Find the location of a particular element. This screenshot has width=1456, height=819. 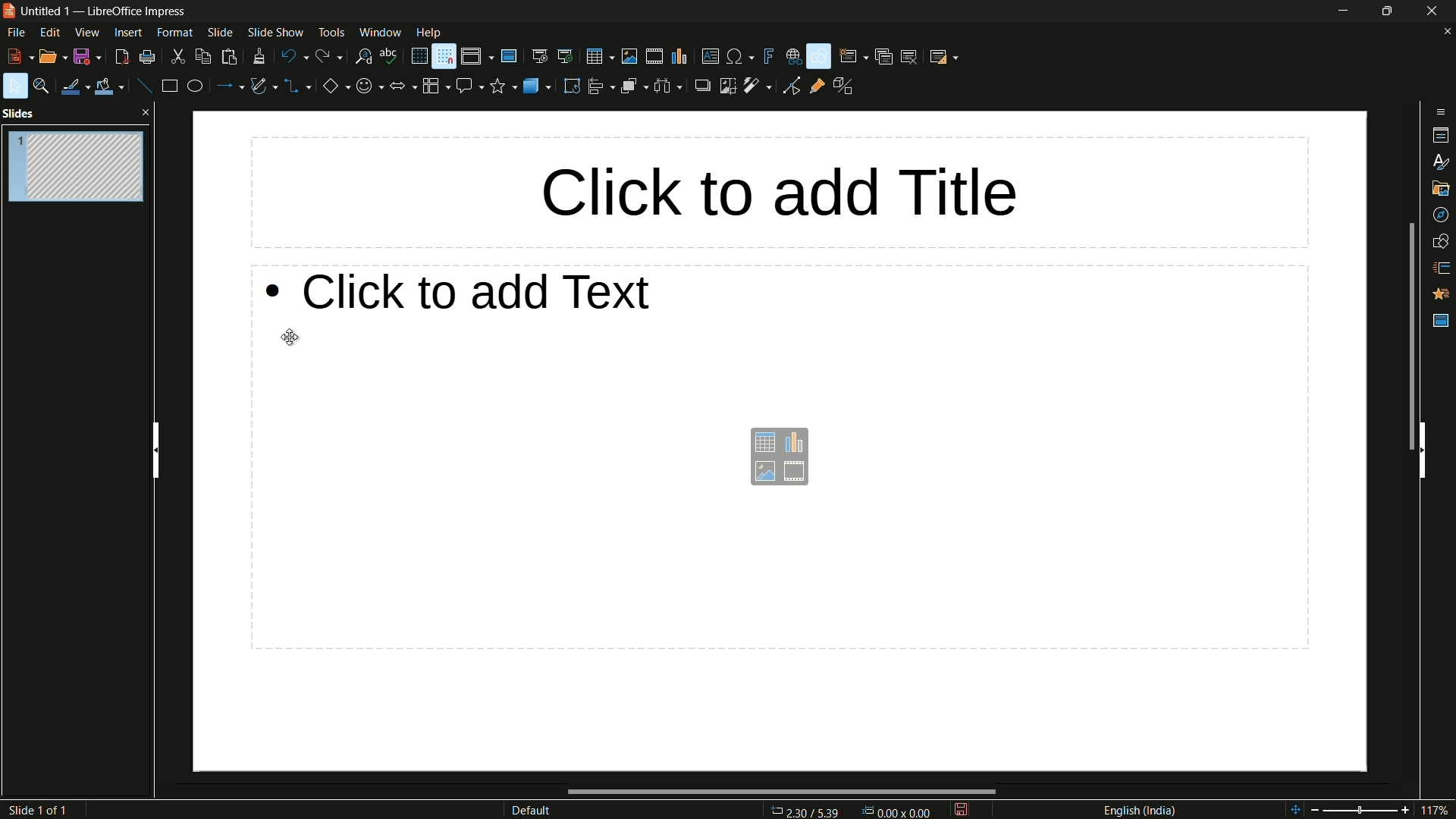

shapes is located at coordinates (1439, 240).